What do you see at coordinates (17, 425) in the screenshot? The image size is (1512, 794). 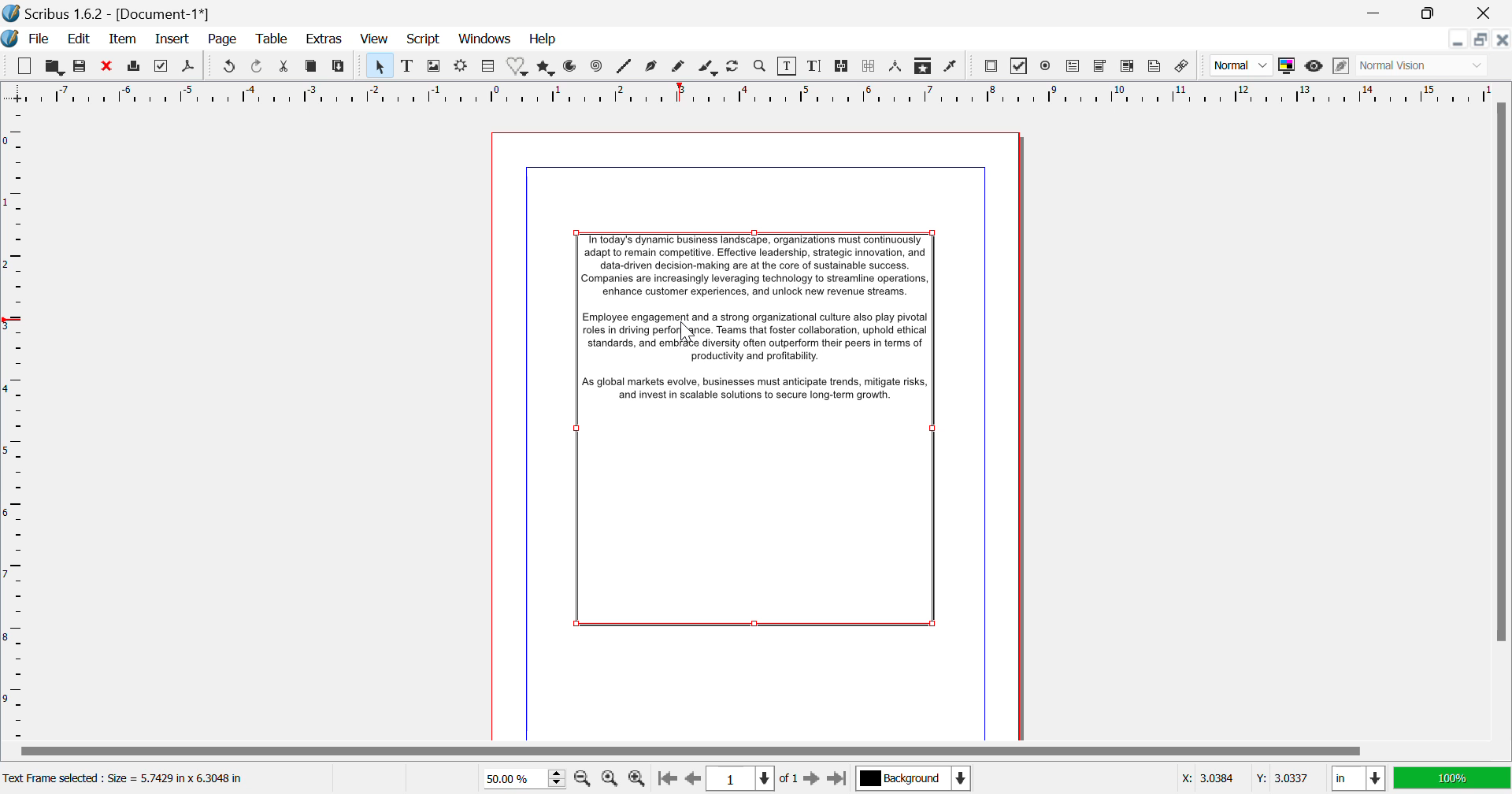 I see `Horizontal Page Margins` at bounding box center [17, 425].